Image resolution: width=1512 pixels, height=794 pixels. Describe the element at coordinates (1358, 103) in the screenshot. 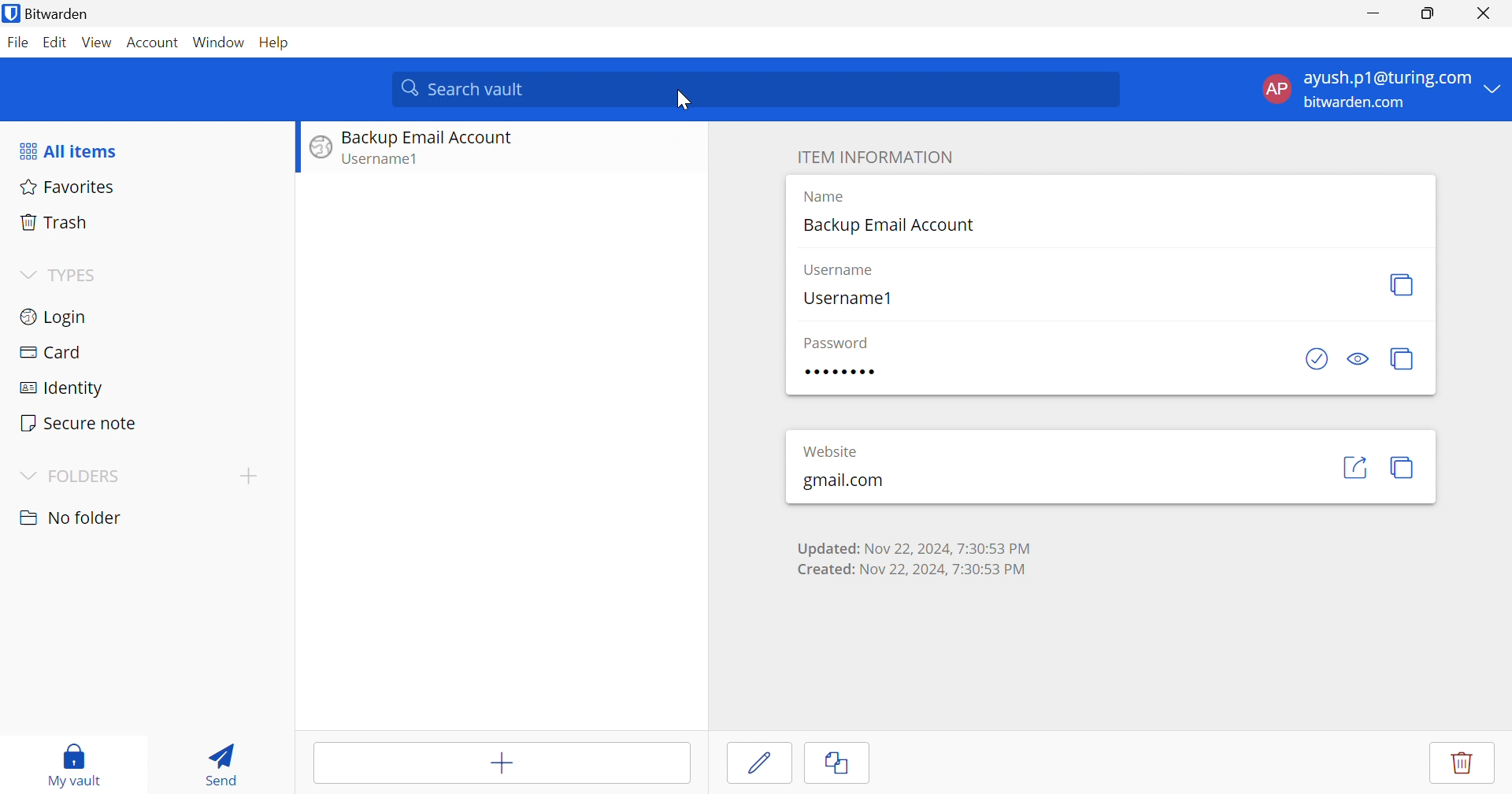

I see `bitwarden.com` at that location.